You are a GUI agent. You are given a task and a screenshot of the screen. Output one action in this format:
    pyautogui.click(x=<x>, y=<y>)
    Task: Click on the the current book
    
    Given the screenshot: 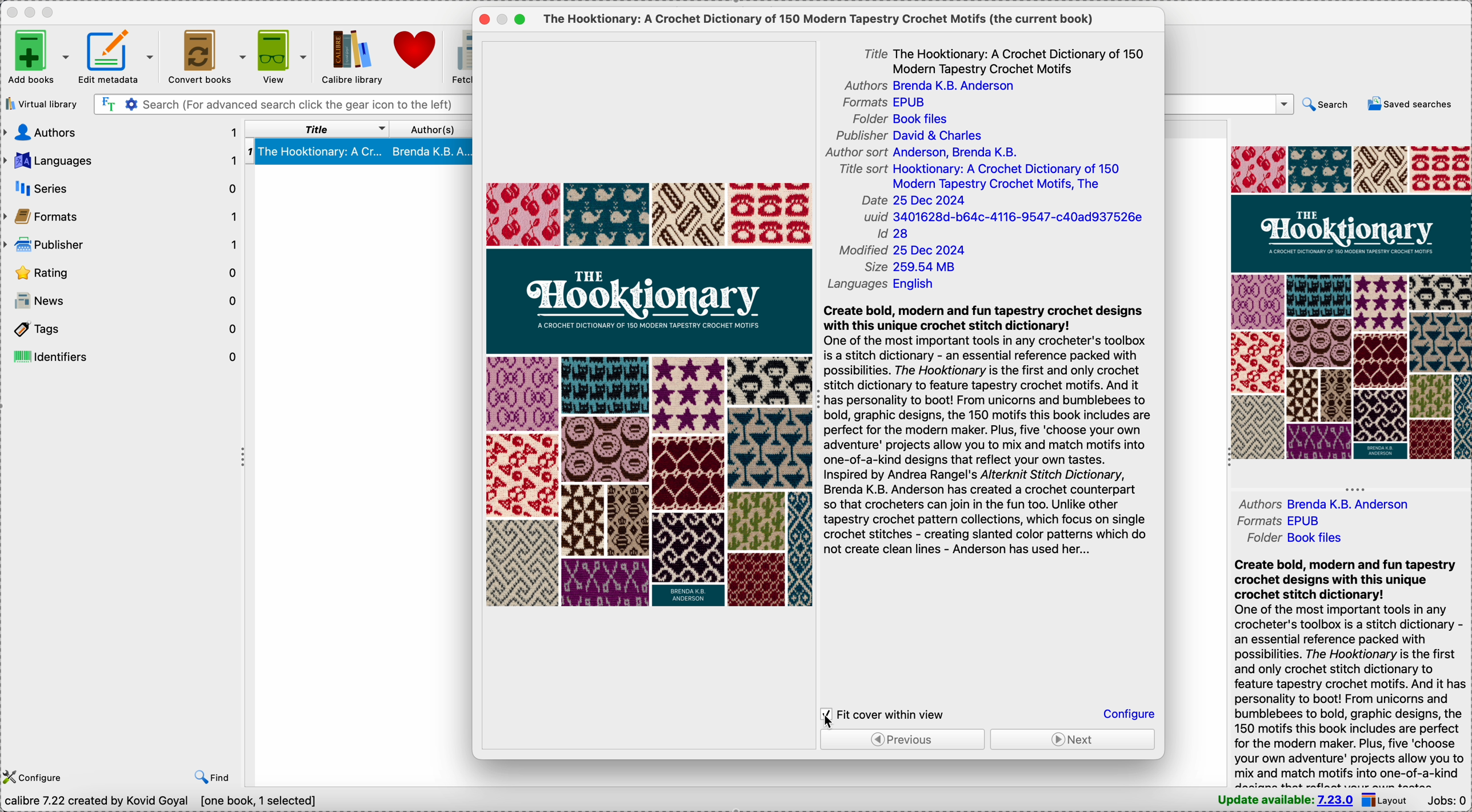 What is the action you would take?
    pyautogui.click(x=819, y=19)
    